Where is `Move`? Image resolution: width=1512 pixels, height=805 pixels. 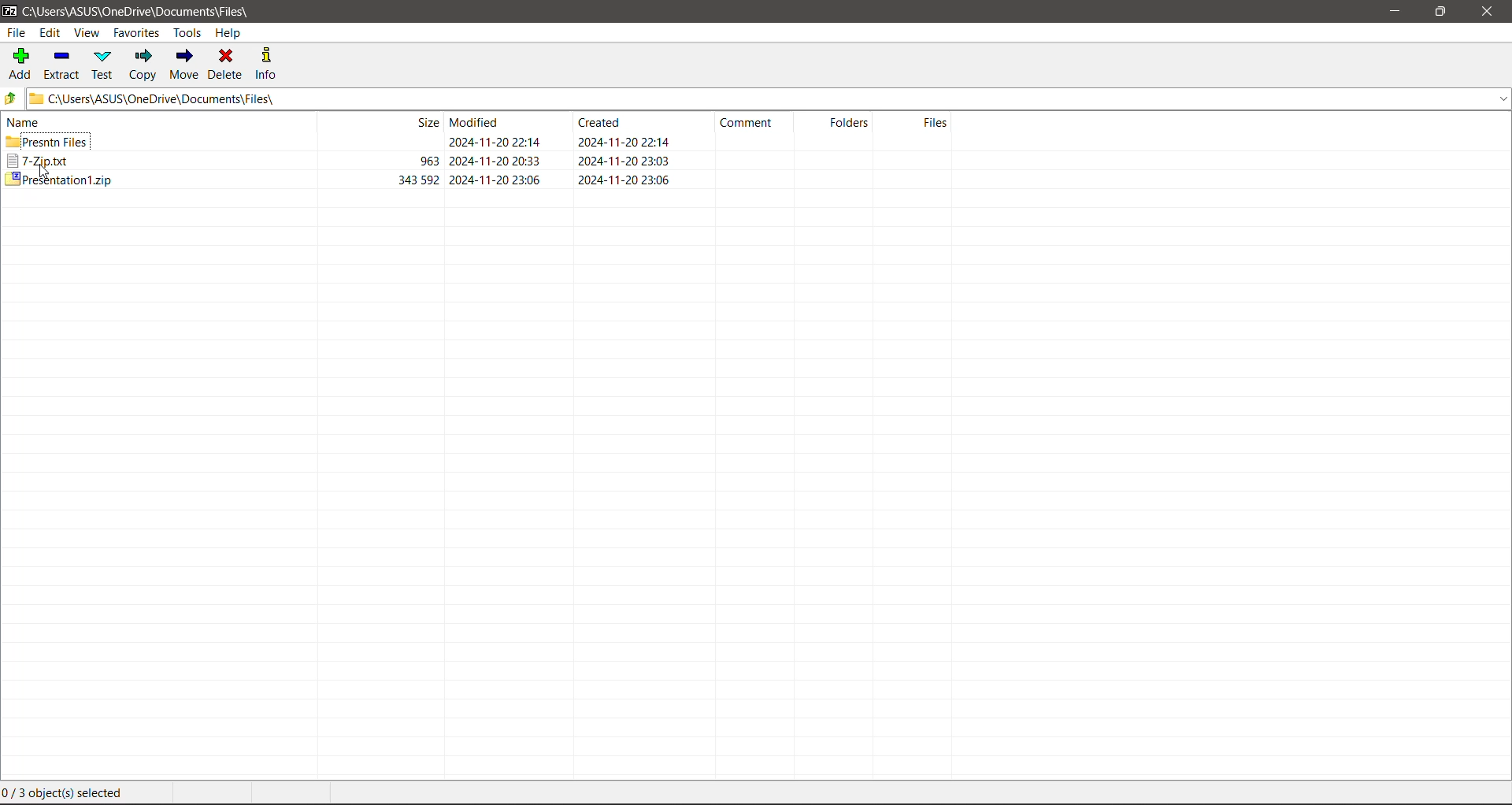 Move is located at coordinates (185, 65).